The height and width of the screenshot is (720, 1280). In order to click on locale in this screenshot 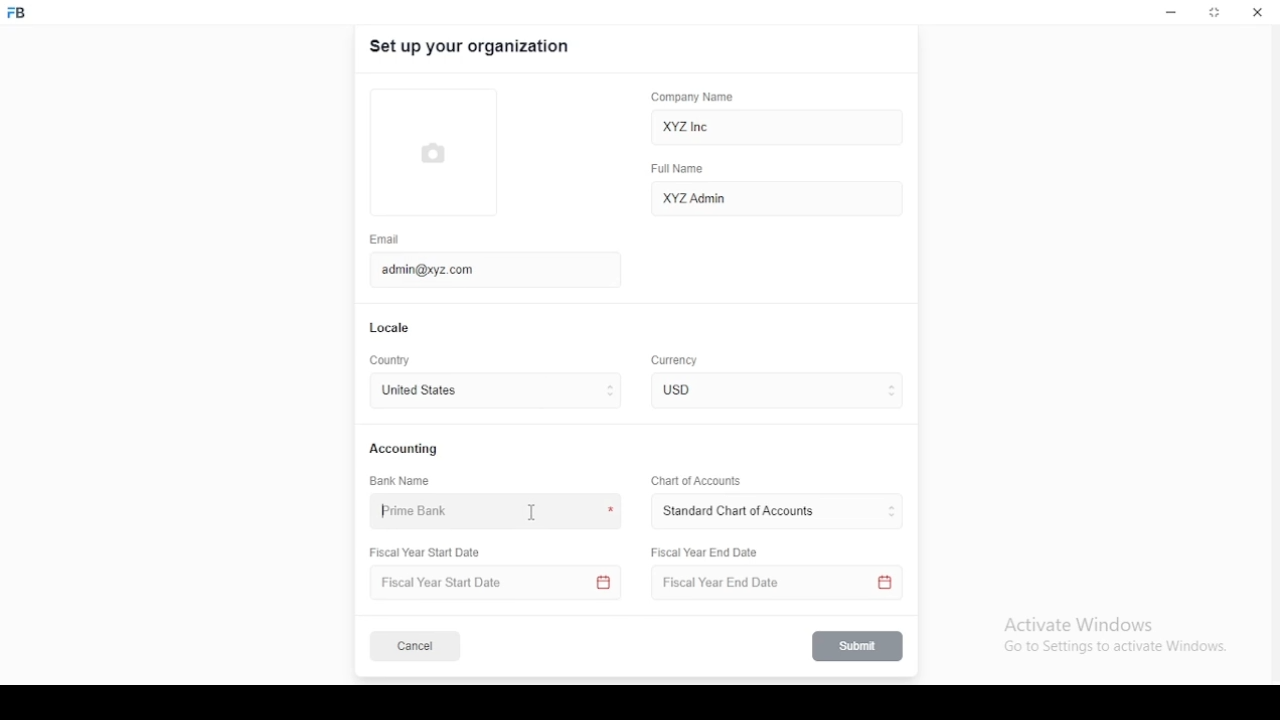, I will do `click(391, 328)`.